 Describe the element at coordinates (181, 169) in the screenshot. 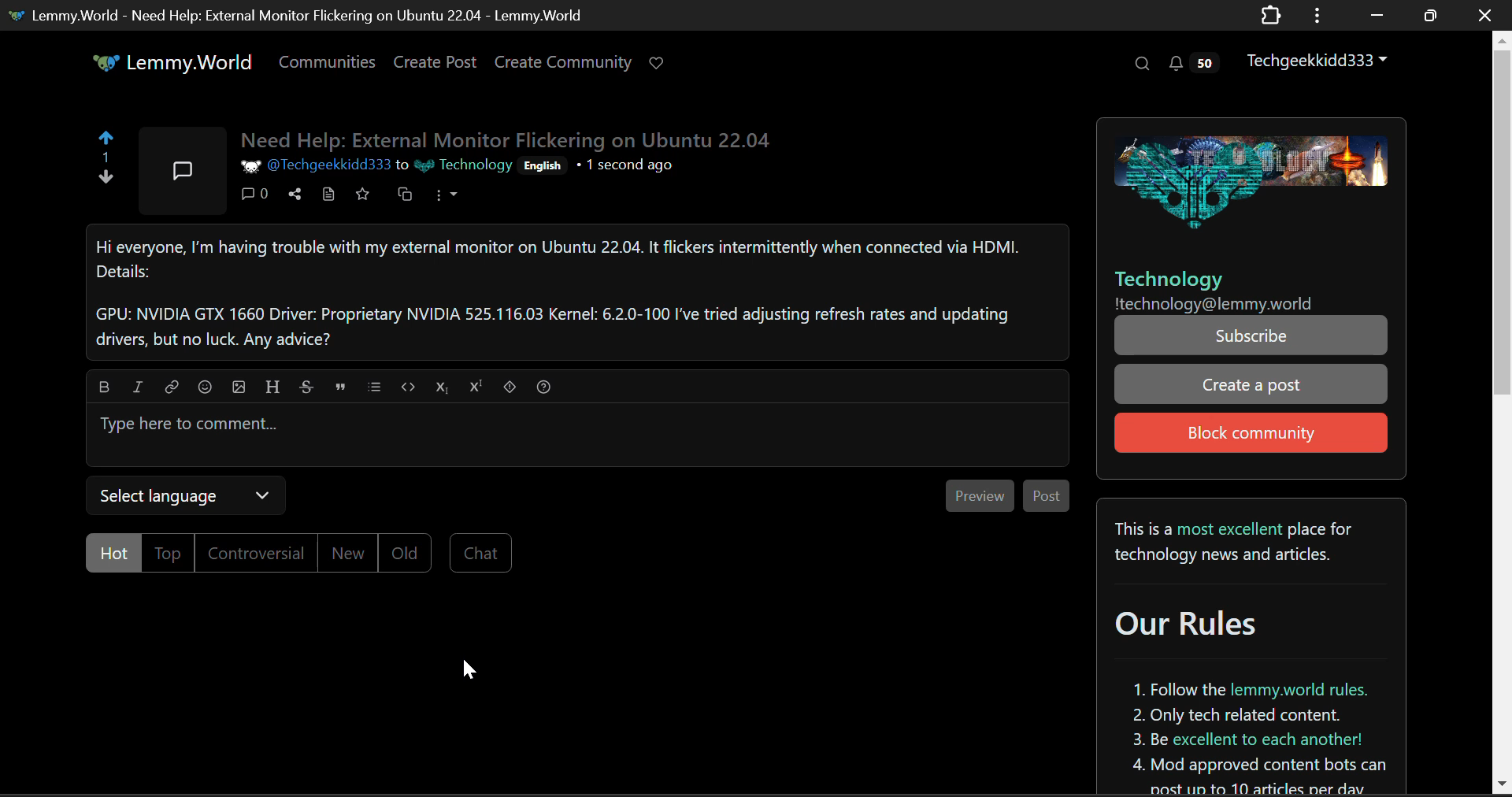

I see `Post Community Icon` at that location.